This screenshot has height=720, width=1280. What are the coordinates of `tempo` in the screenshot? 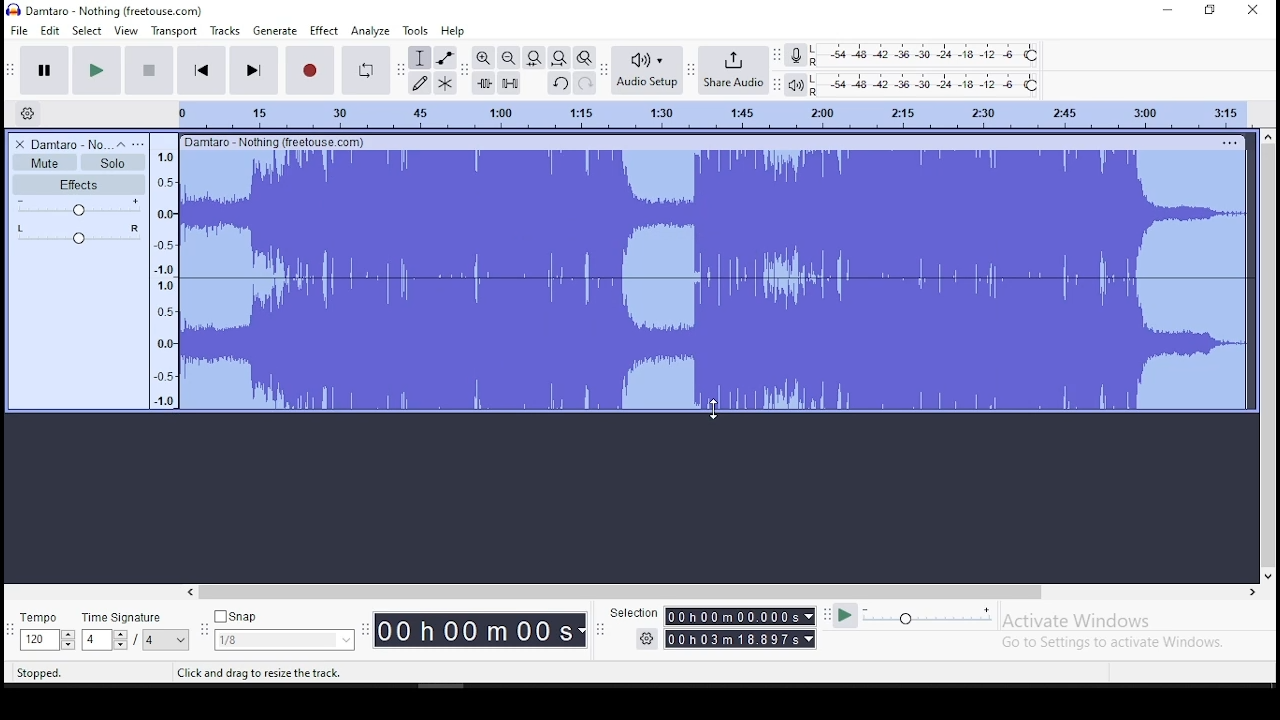 It's located at (48, 618).